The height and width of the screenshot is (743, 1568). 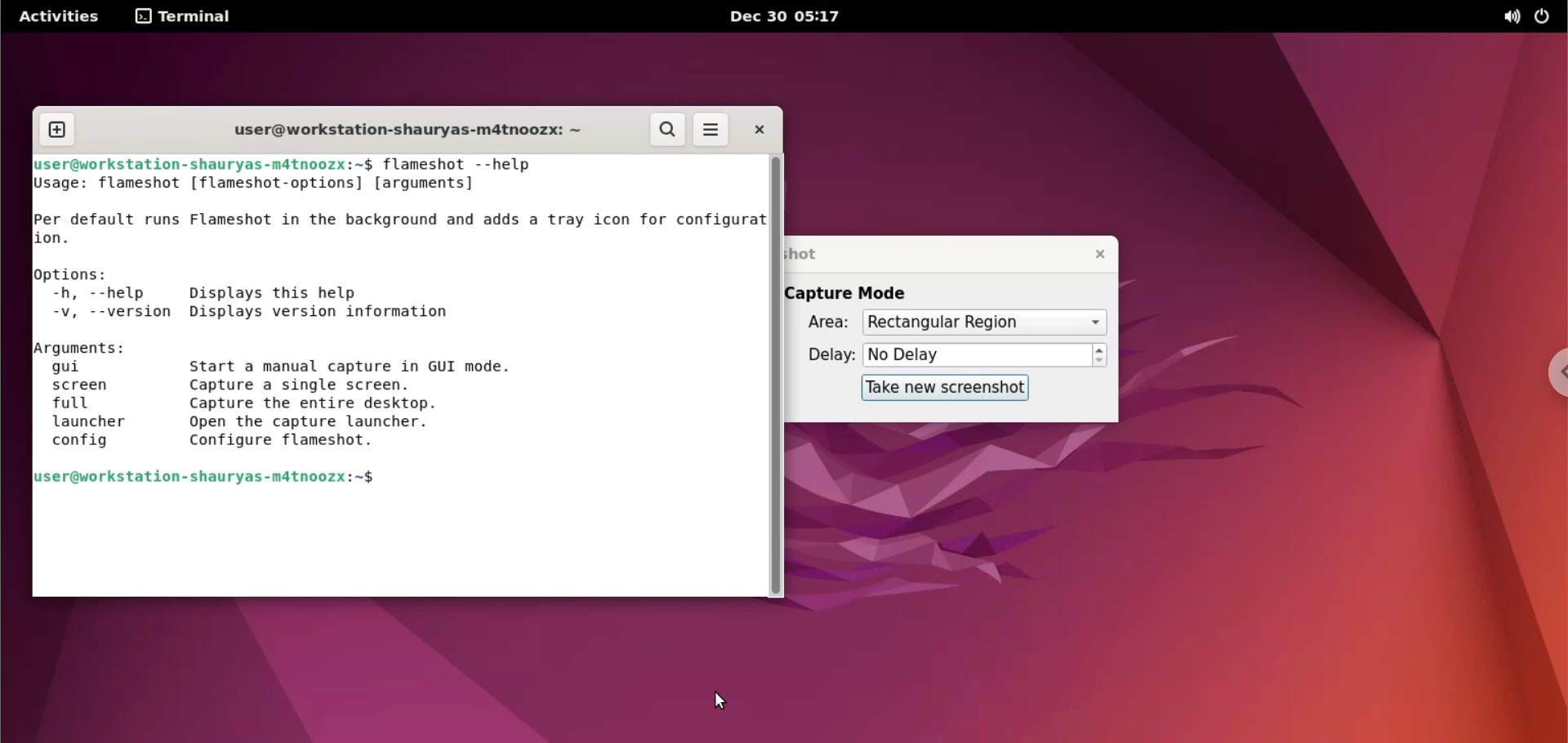 I want to click on capture the entire desktop, so click(x=359, y=404).